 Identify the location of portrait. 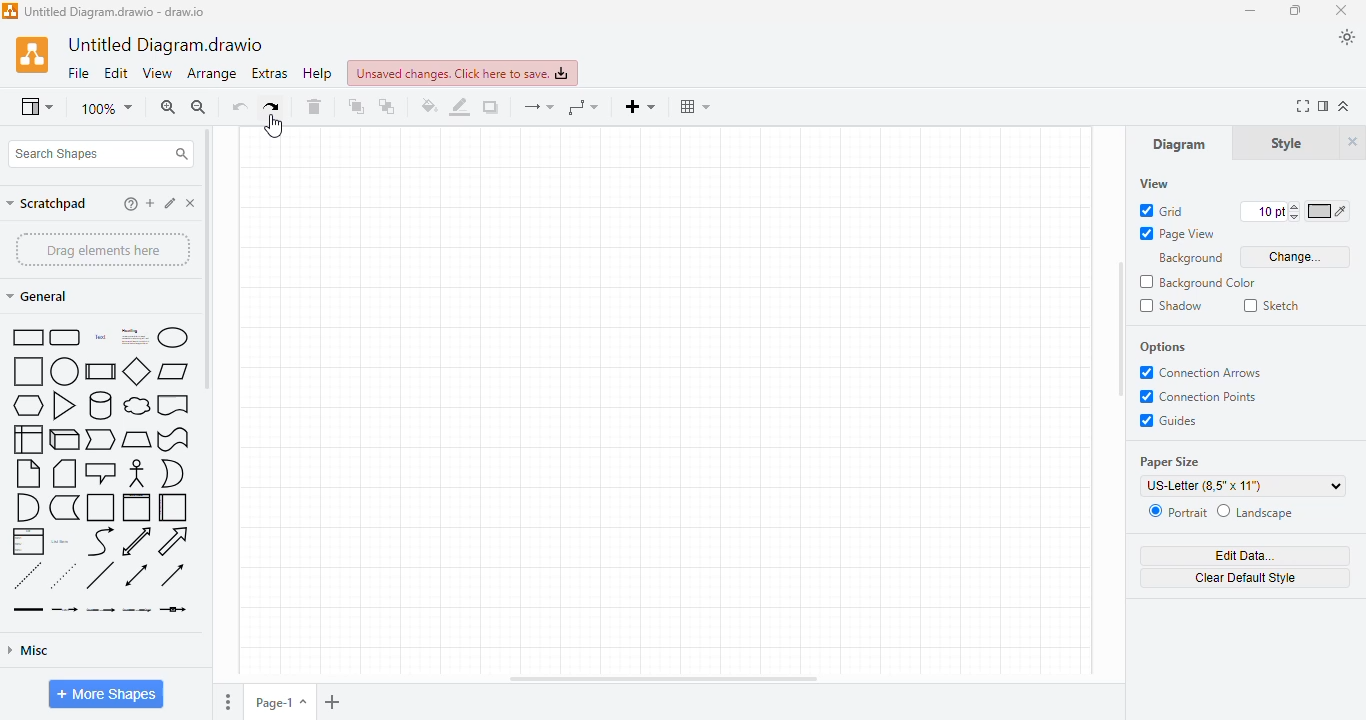
(1177, 511).